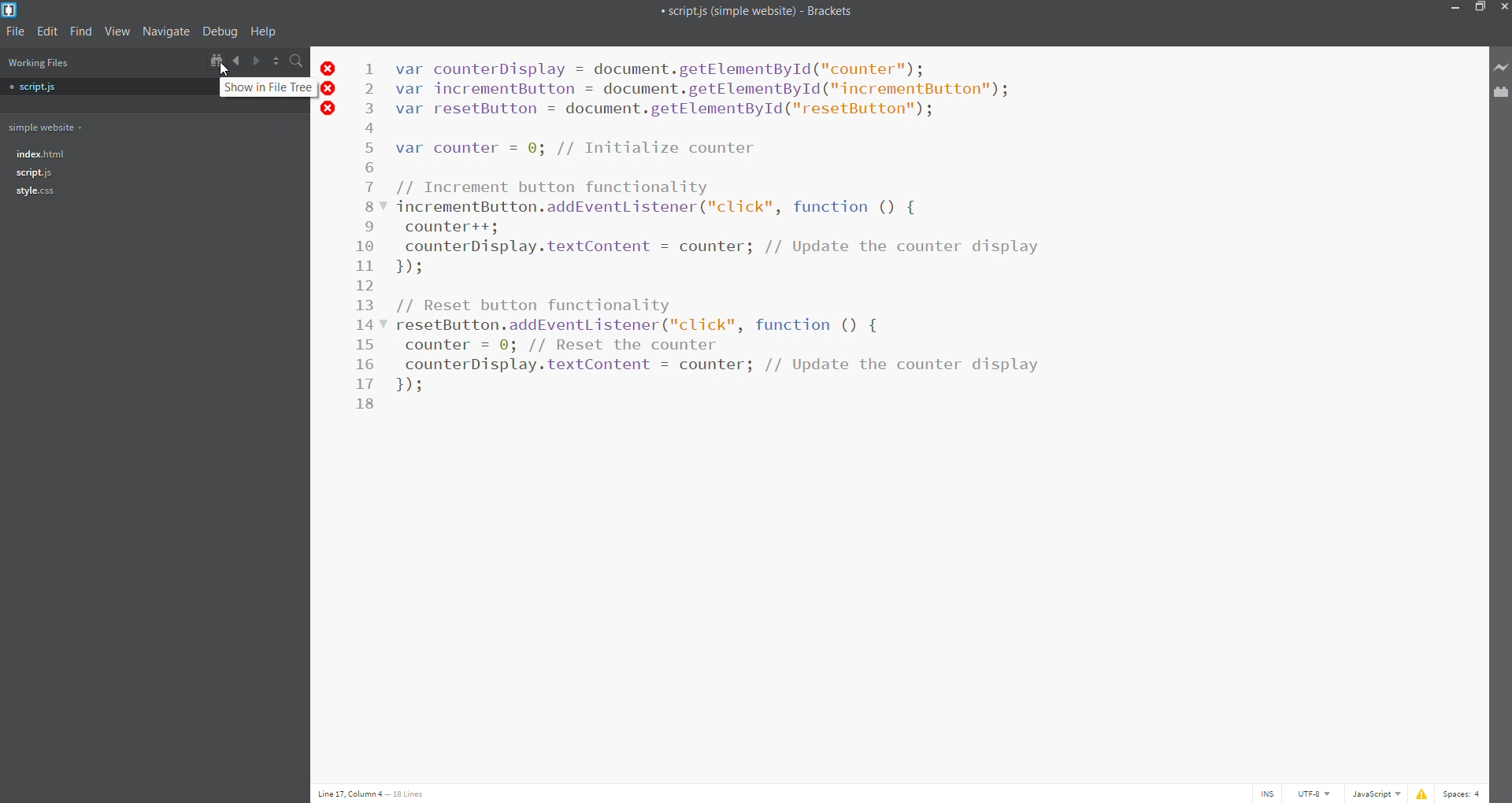  Describe the element at coordinates (11, 11) in the screenshot. I see `logo` at that location.